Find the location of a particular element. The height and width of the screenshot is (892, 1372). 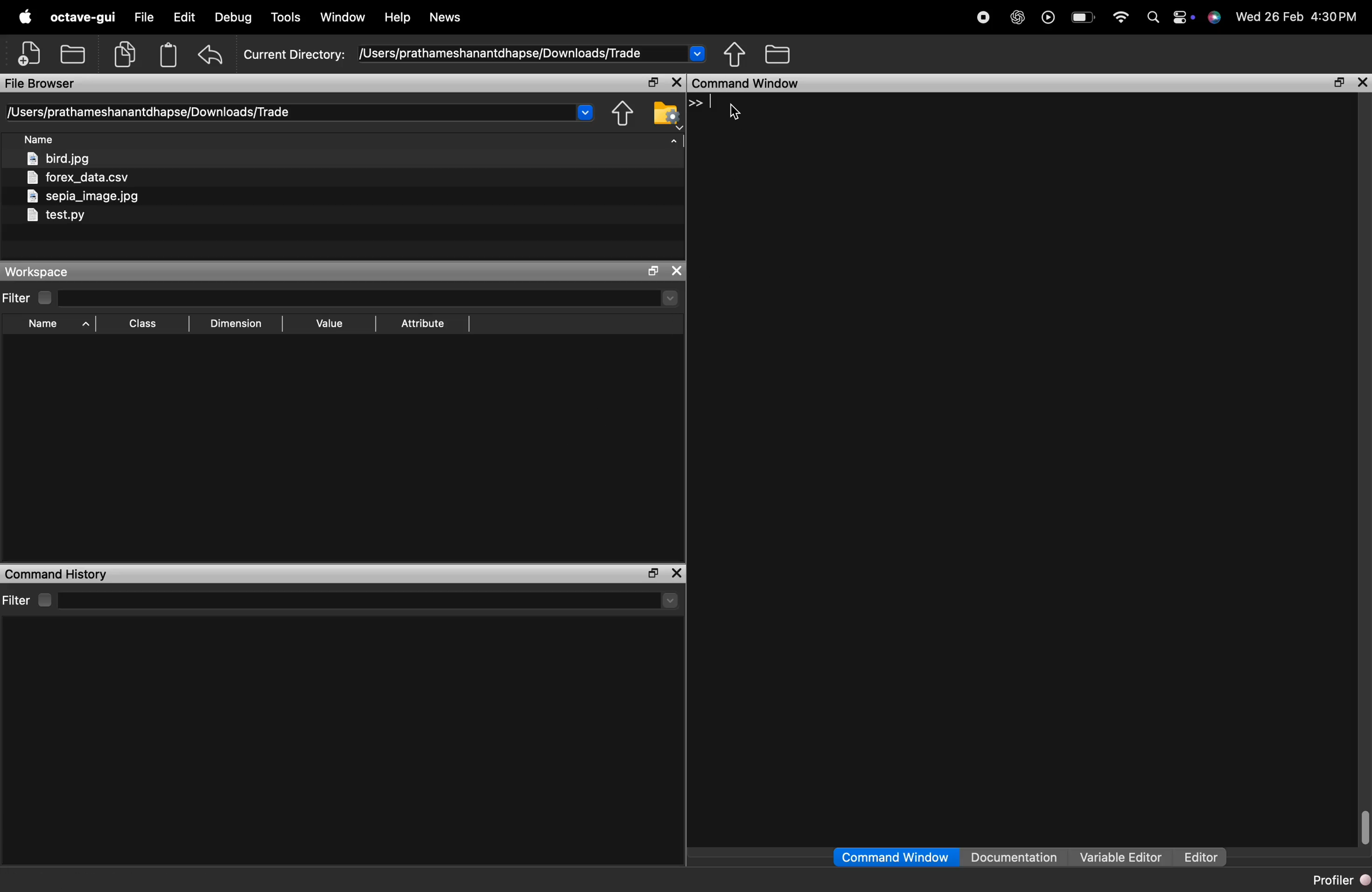

Workspace is located at coordinates (37, 273).